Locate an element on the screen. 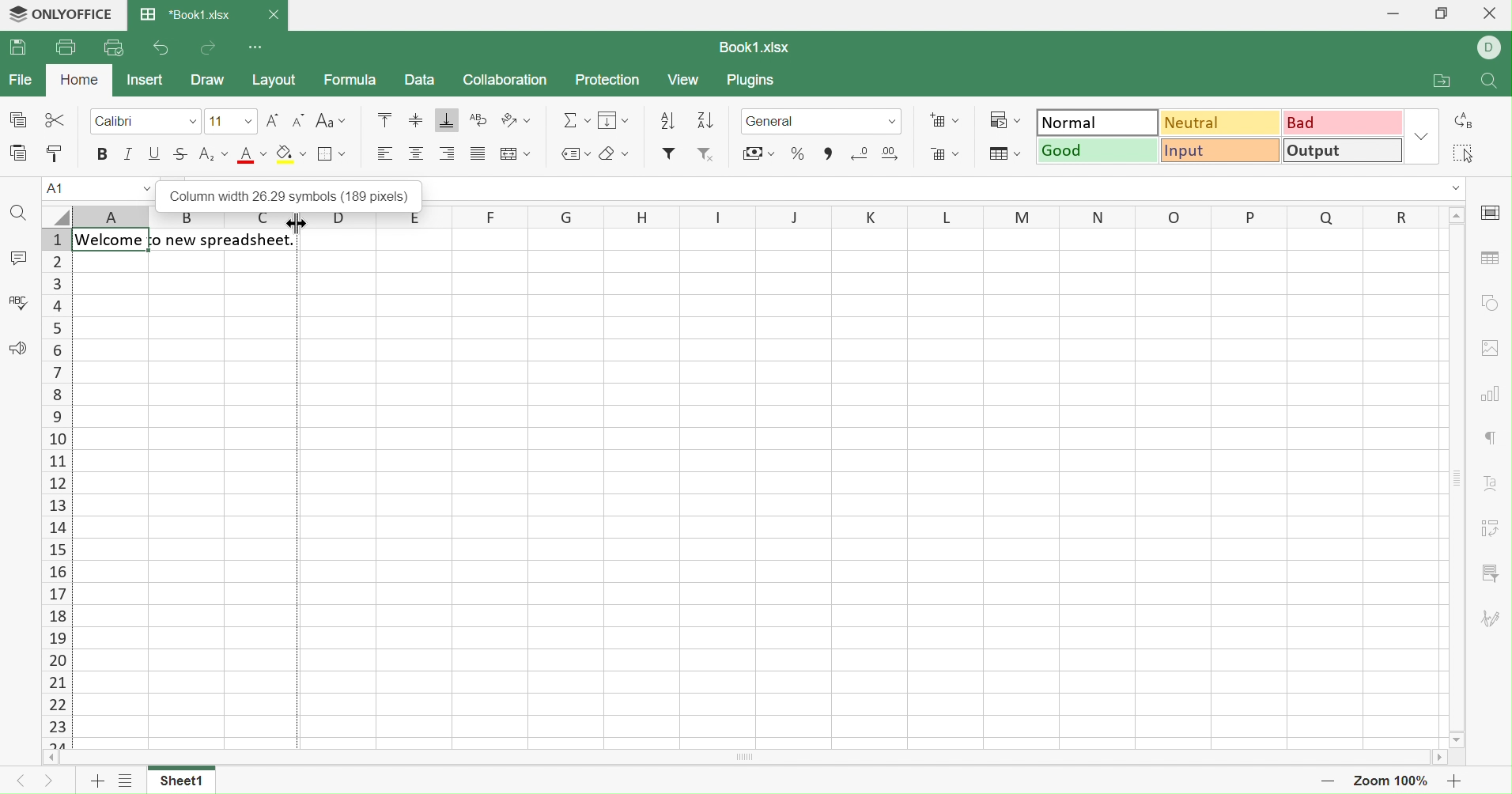  Data is located at coordinates (419, 81).